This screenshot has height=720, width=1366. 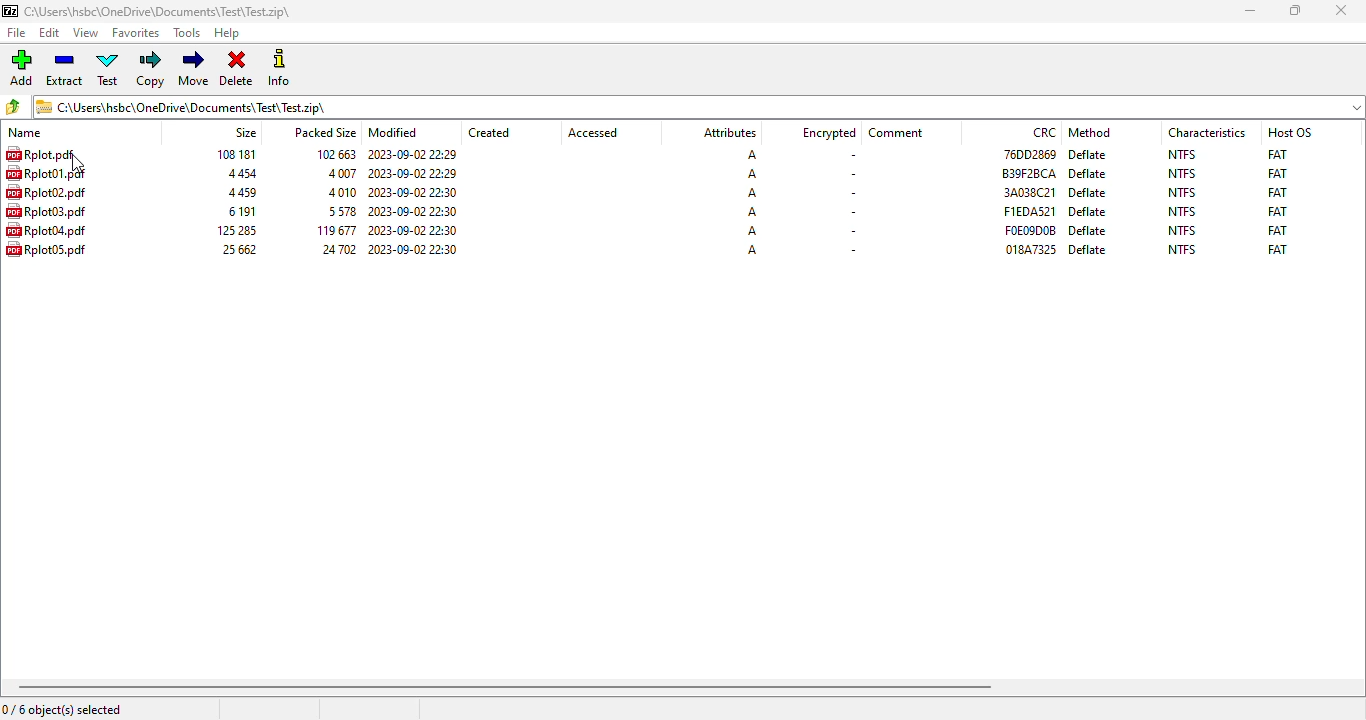 What do you see at coordinates (152, 69) in the screenshot?
I see `copy` at bounding box center [152, 69].